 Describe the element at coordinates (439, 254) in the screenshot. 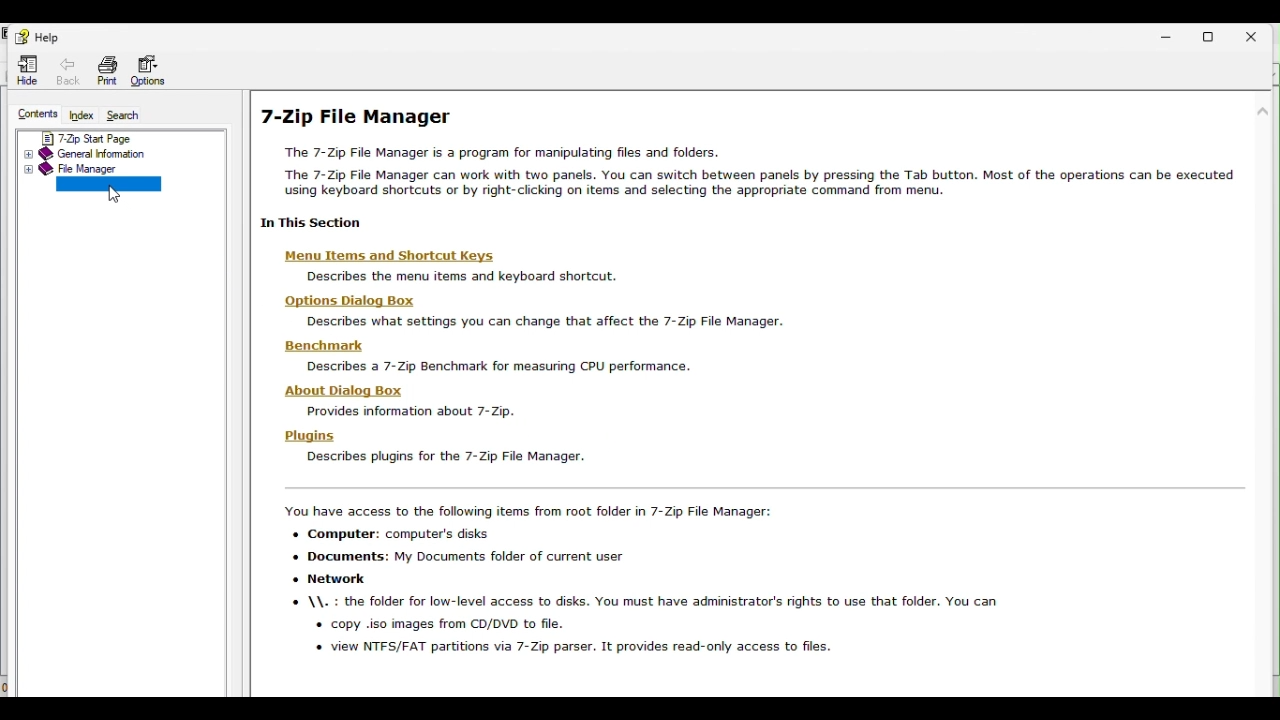

I see `menu items and shortcut keys` at that location.